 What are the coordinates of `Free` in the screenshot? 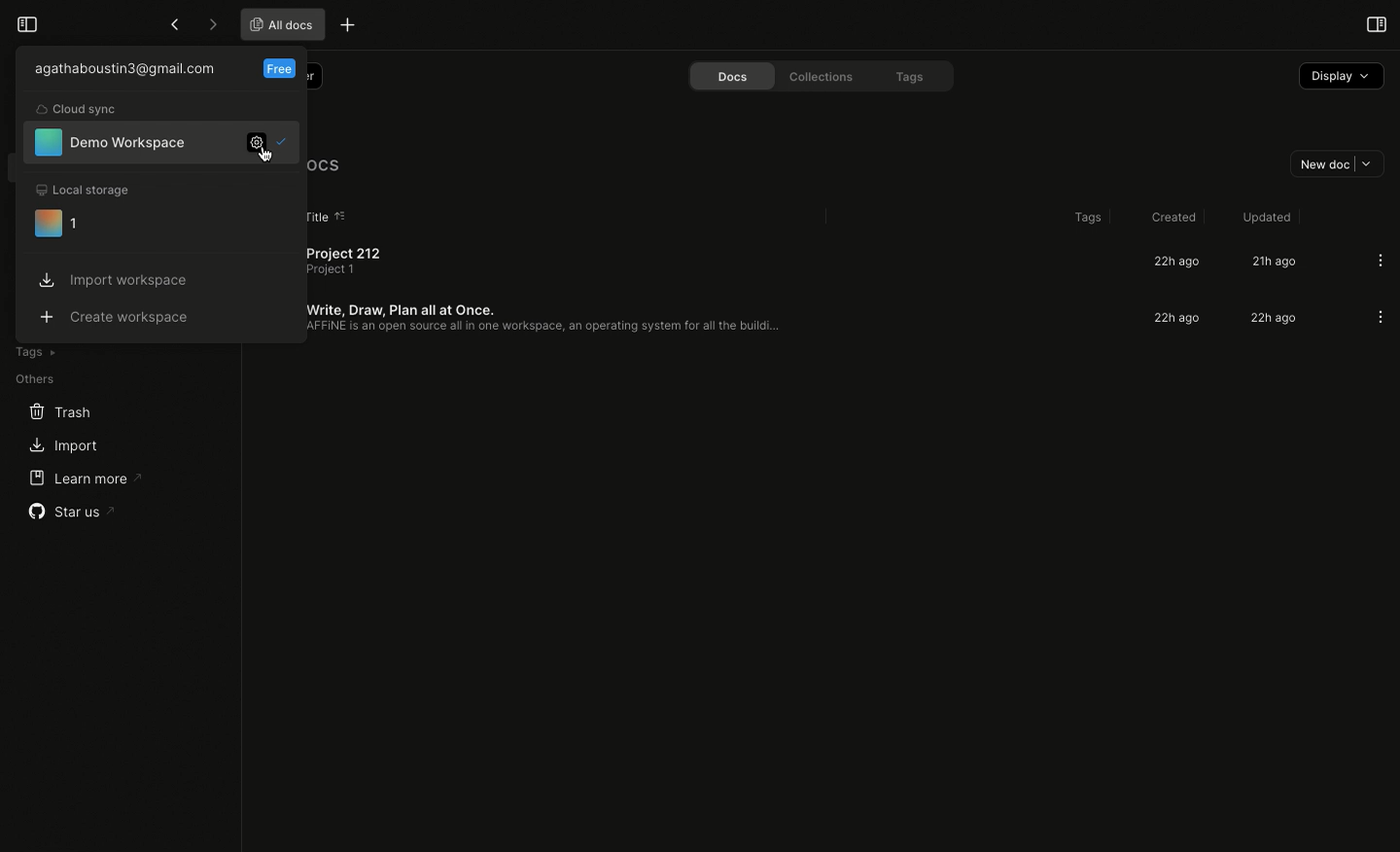 It's located at (279, 70).